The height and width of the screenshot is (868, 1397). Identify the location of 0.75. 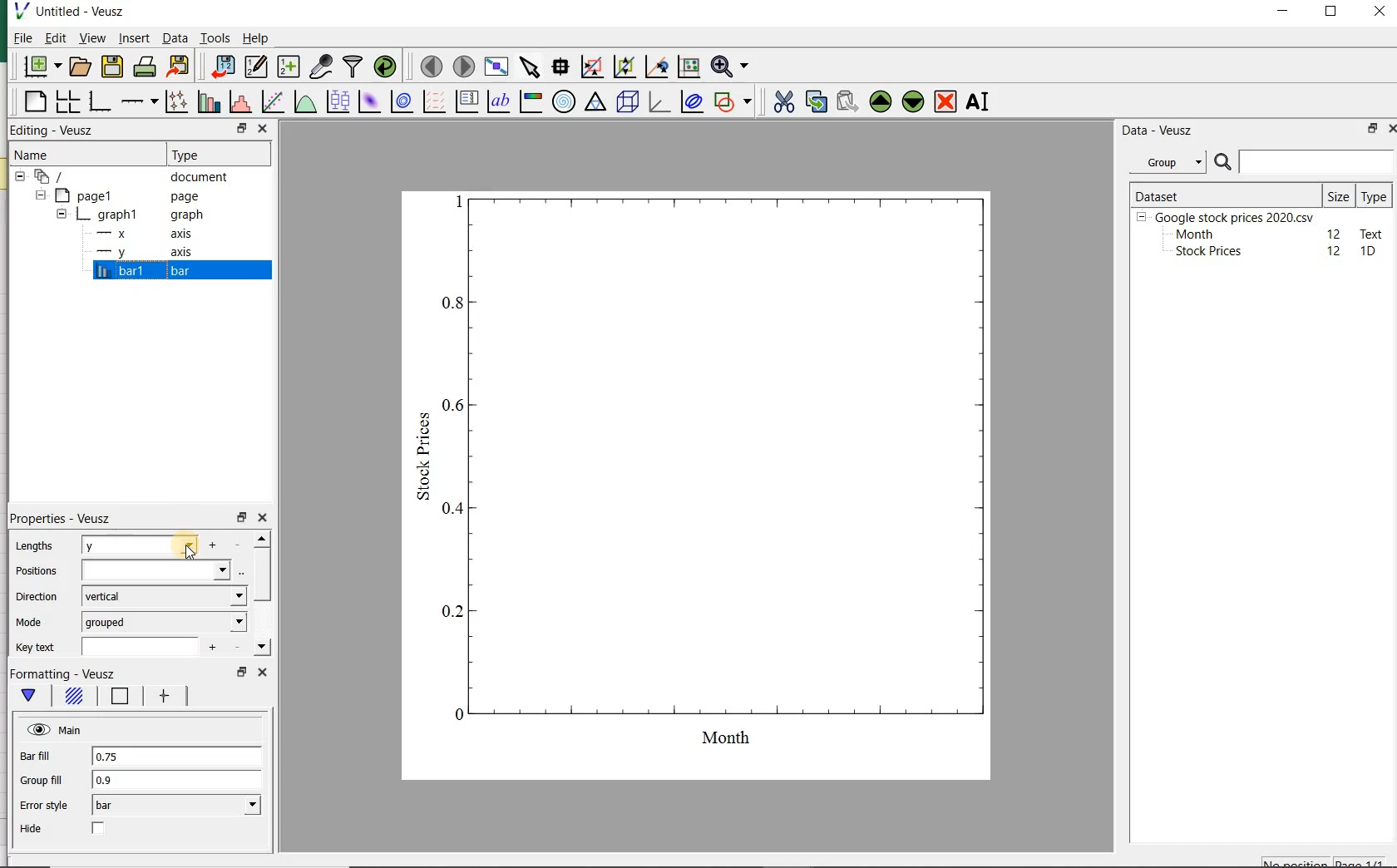
(178, 757).